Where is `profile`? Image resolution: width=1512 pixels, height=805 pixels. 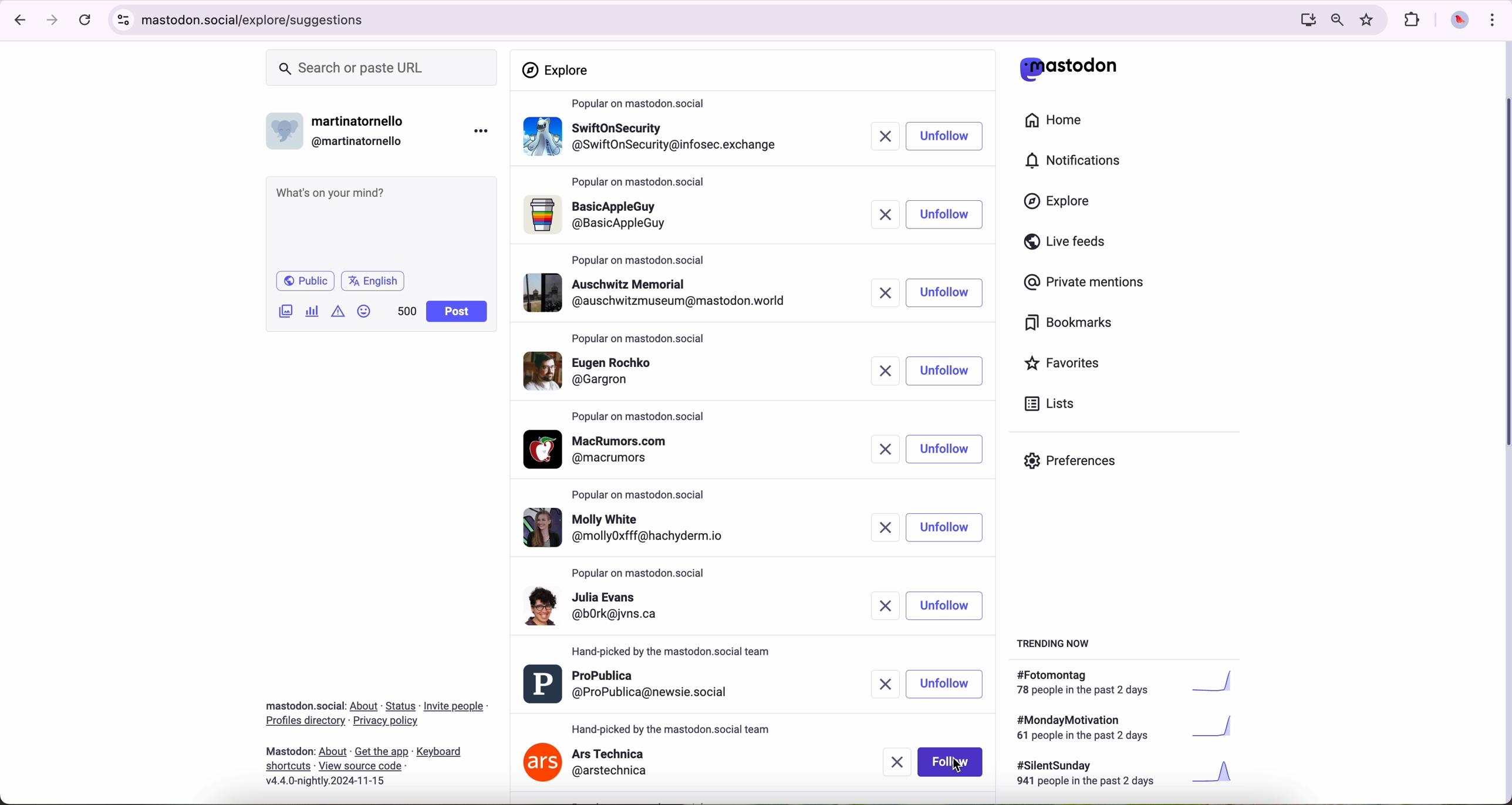 profile is located at coordinates (603, 449).